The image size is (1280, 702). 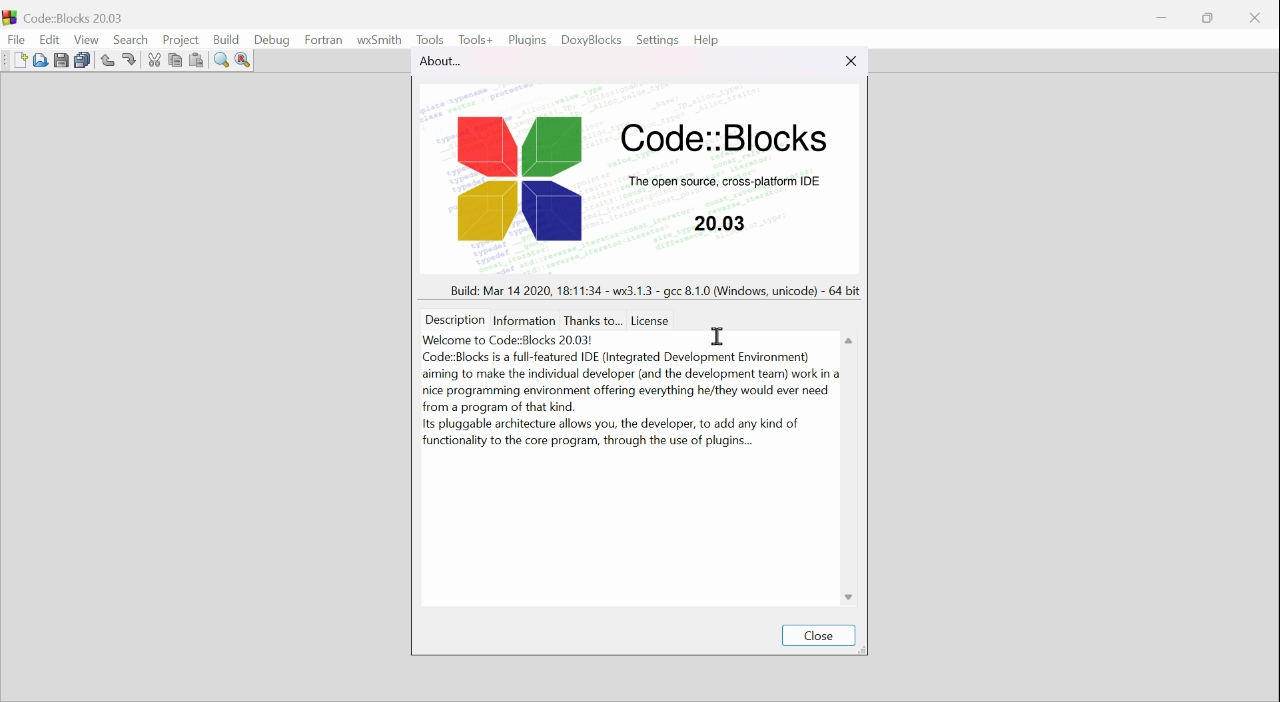 I want to click on scroll down, so click(x=848, y=595).